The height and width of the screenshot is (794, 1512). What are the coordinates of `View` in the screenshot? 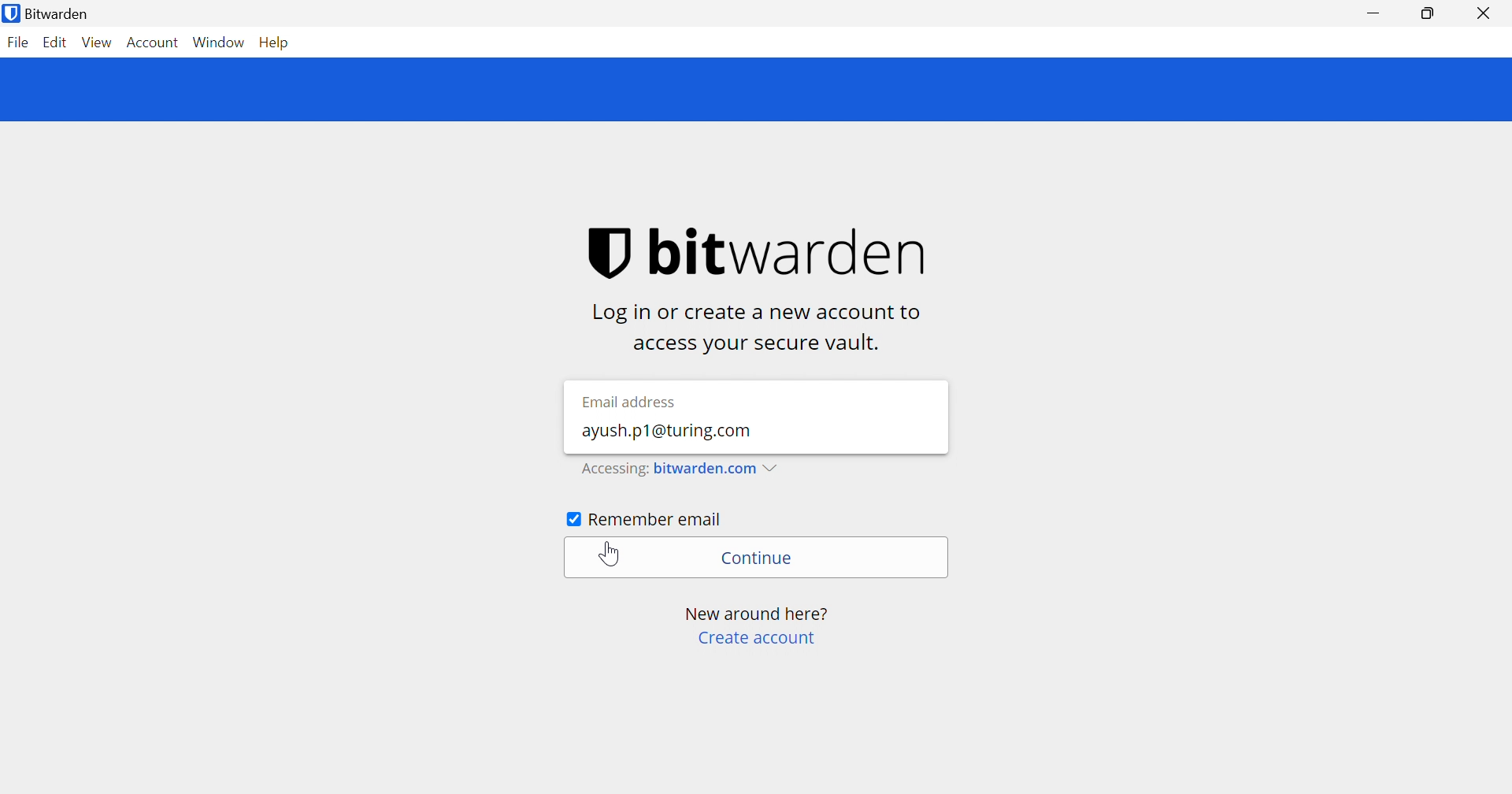 It's located at (98, 43).